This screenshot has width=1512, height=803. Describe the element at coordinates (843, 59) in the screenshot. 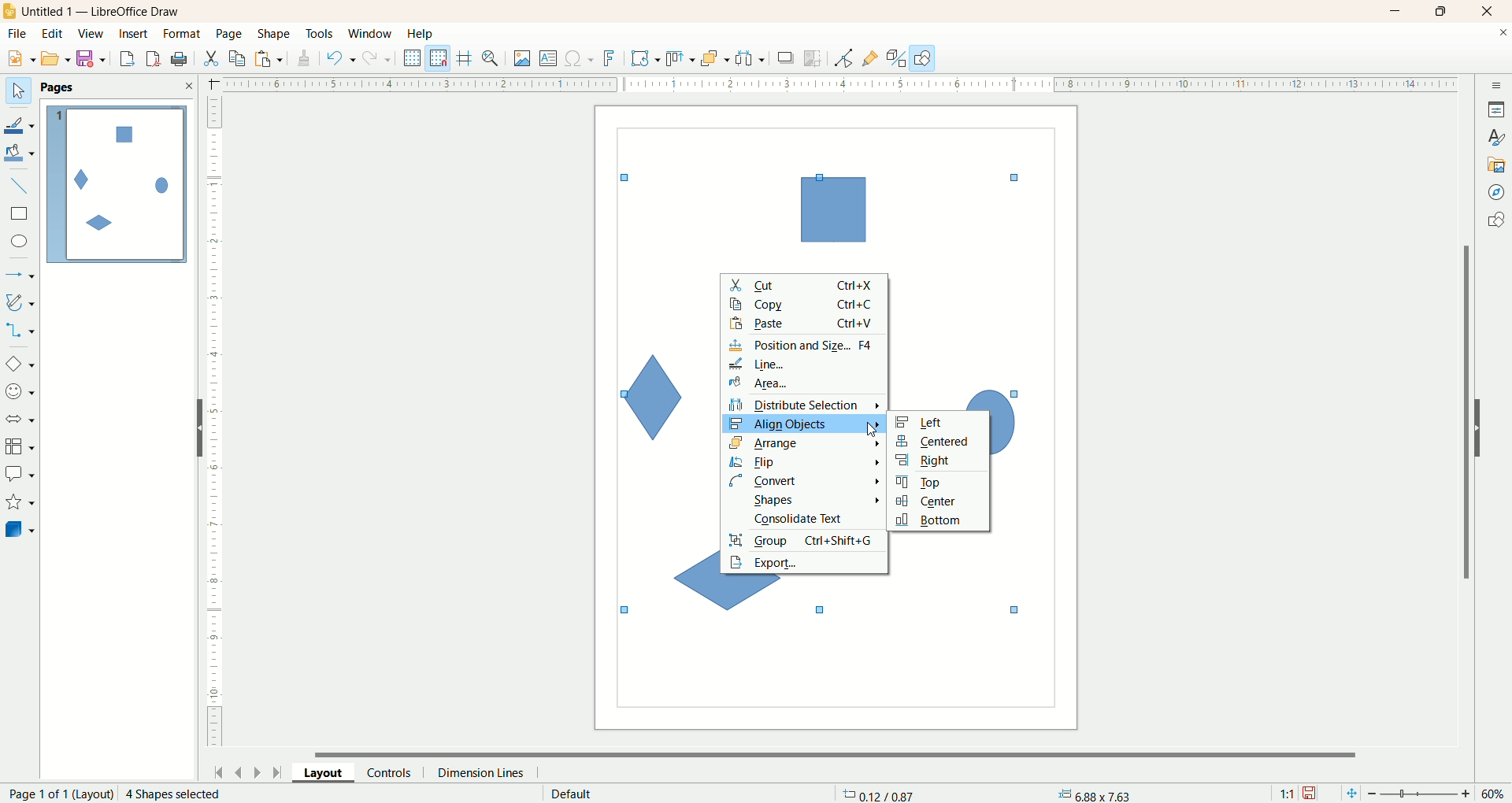

I see `point edit mode` at that location.